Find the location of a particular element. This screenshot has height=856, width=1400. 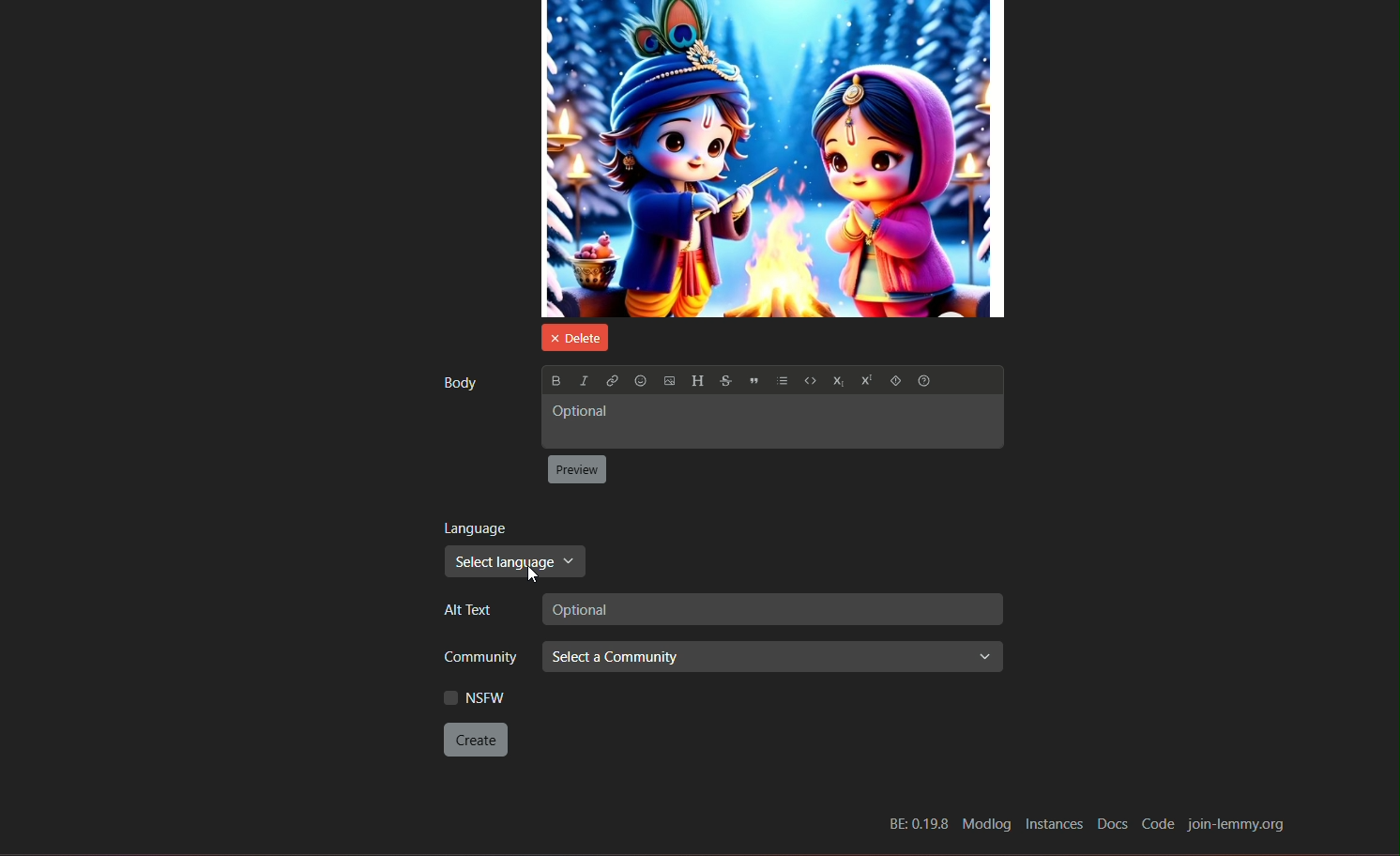

subscript is located at coordinates (836, 383).